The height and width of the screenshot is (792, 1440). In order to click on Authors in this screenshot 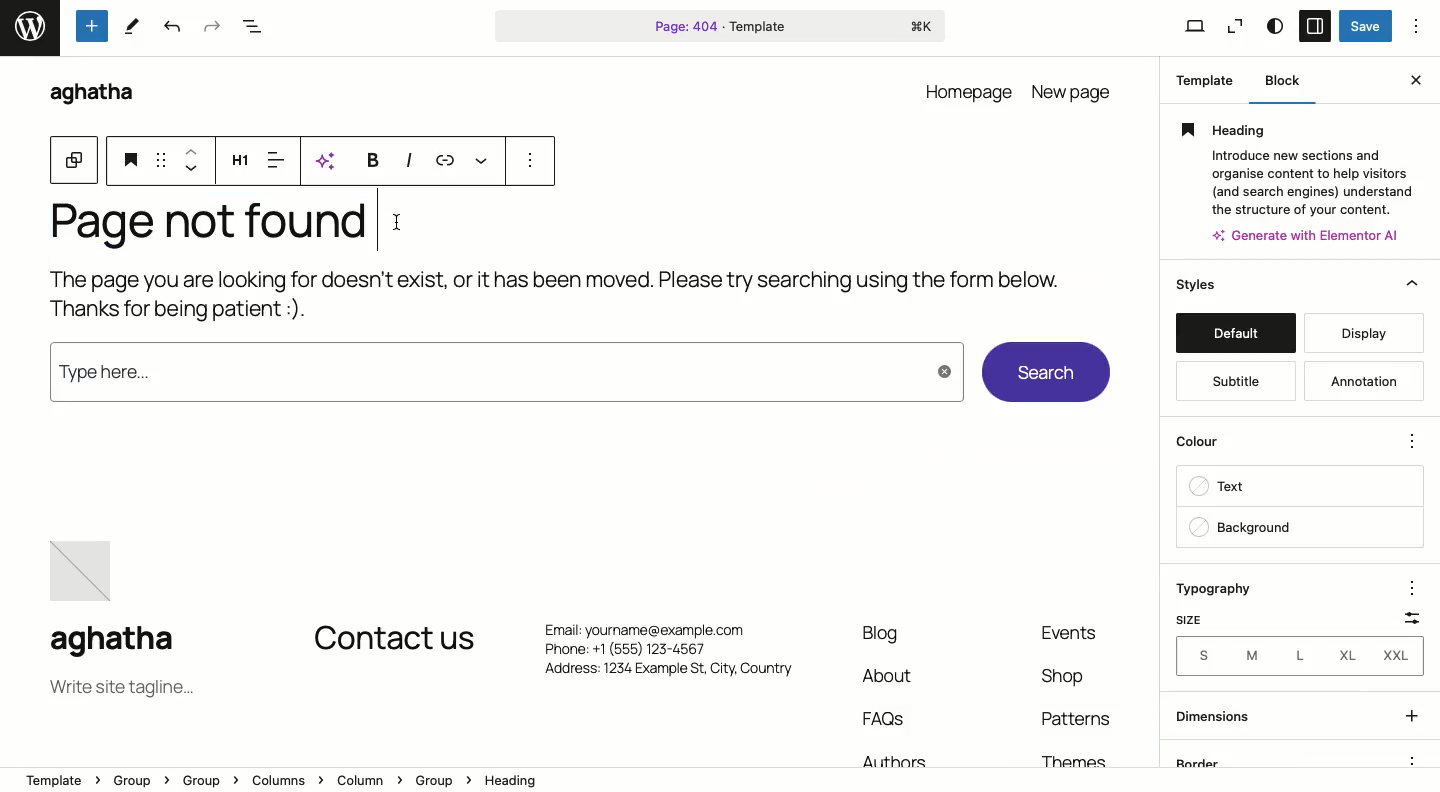, I will do `click(889, 758)`.